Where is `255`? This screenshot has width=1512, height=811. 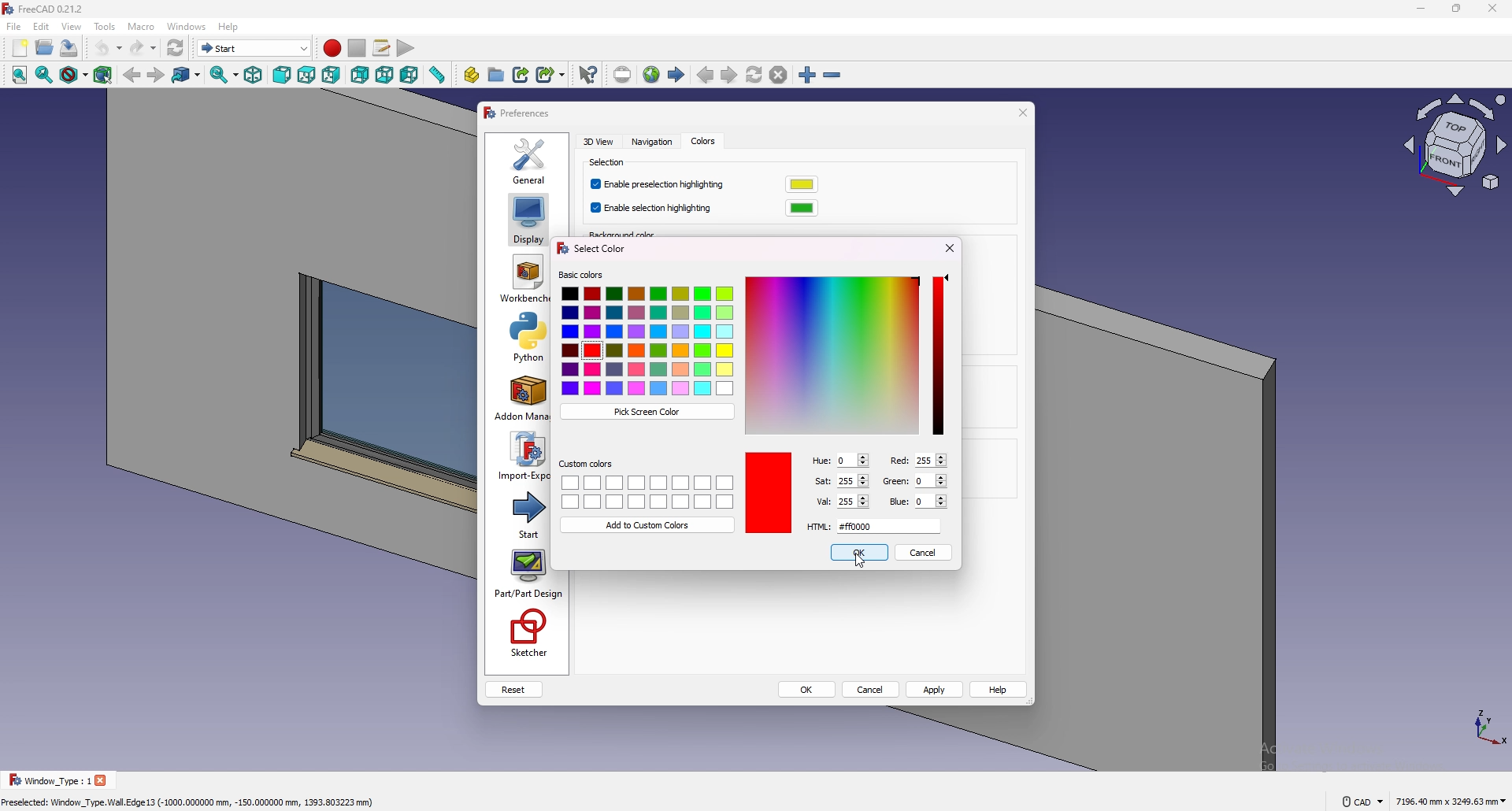
255 is located at coordinates (929, 460).